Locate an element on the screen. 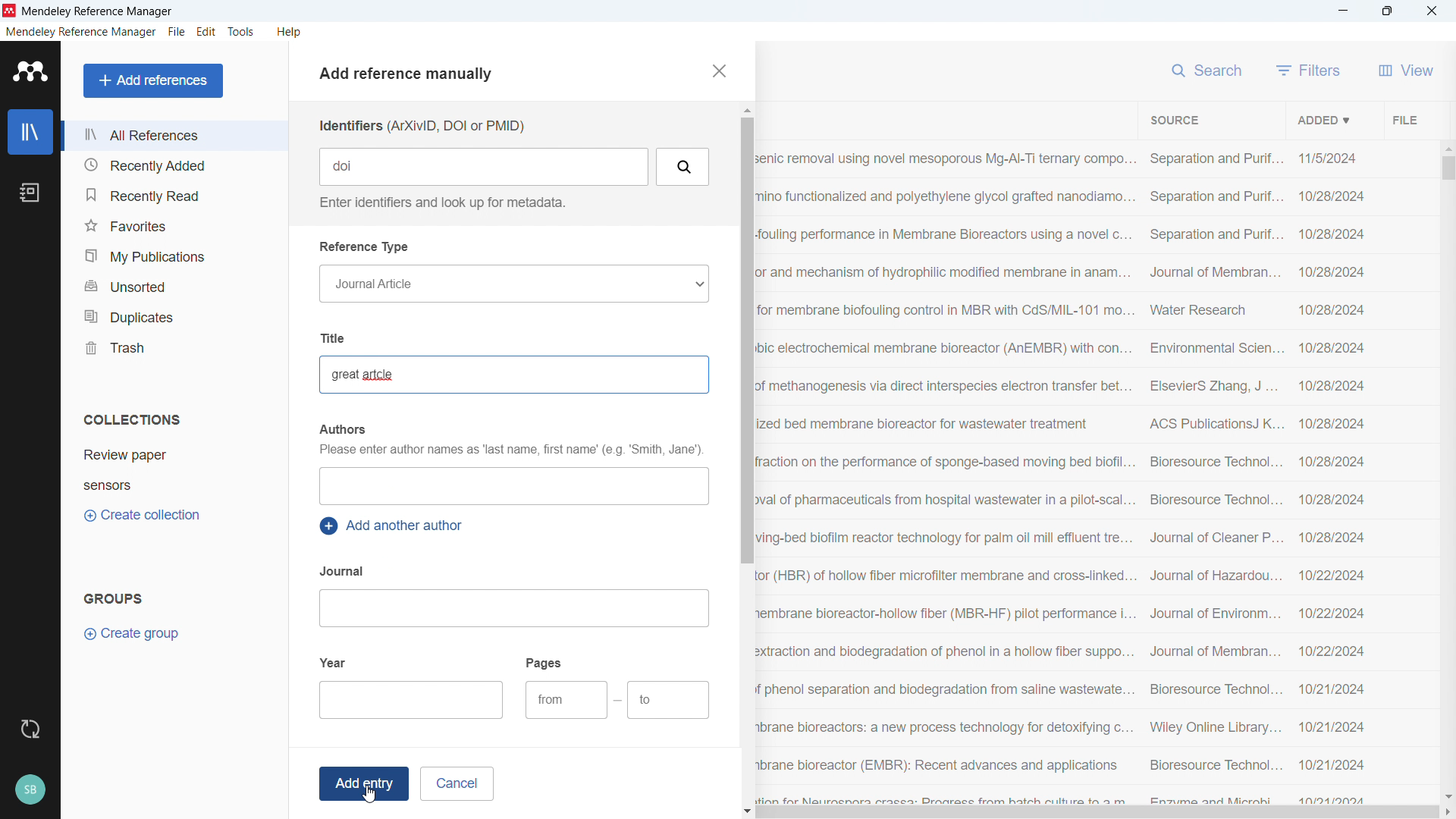 The width and height of the screenshot is (1456, 819). authors is located at coordinates (341, 429).